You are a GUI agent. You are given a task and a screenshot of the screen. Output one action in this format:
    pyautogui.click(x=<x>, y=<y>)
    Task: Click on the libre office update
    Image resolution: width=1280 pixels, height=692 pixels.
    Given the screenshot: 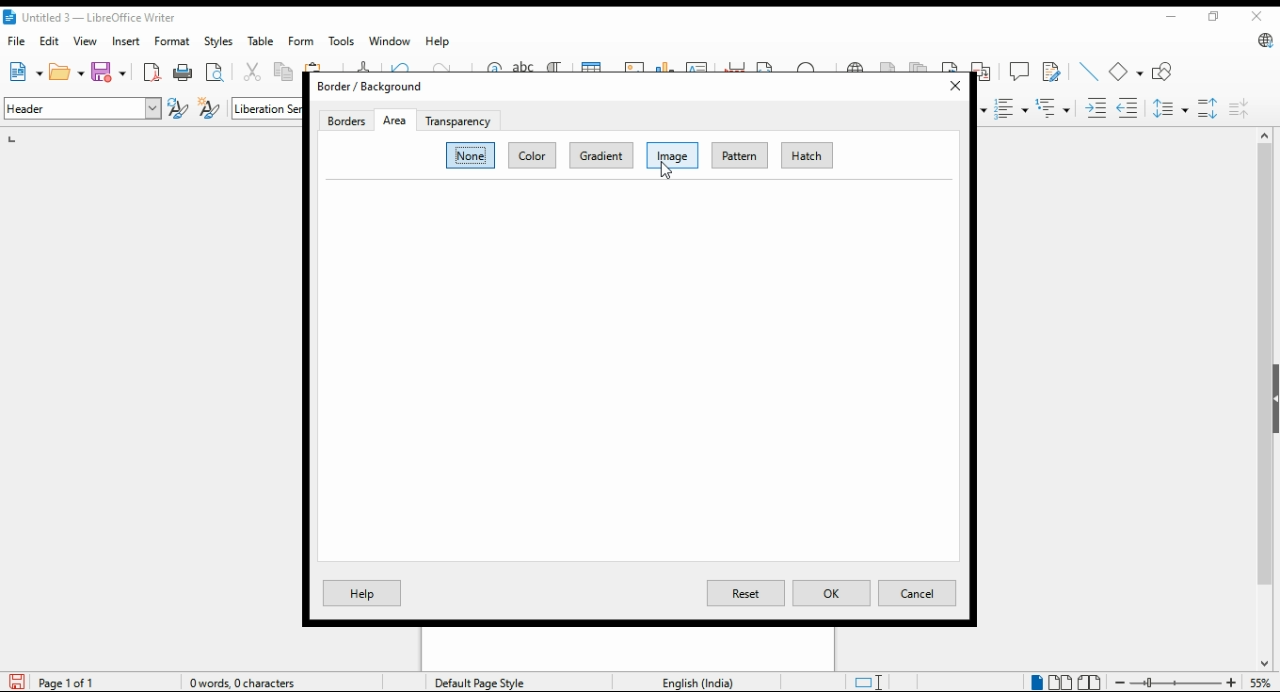 What is the action you would take?
    pyautogui.click(x=1262, y=42)
    